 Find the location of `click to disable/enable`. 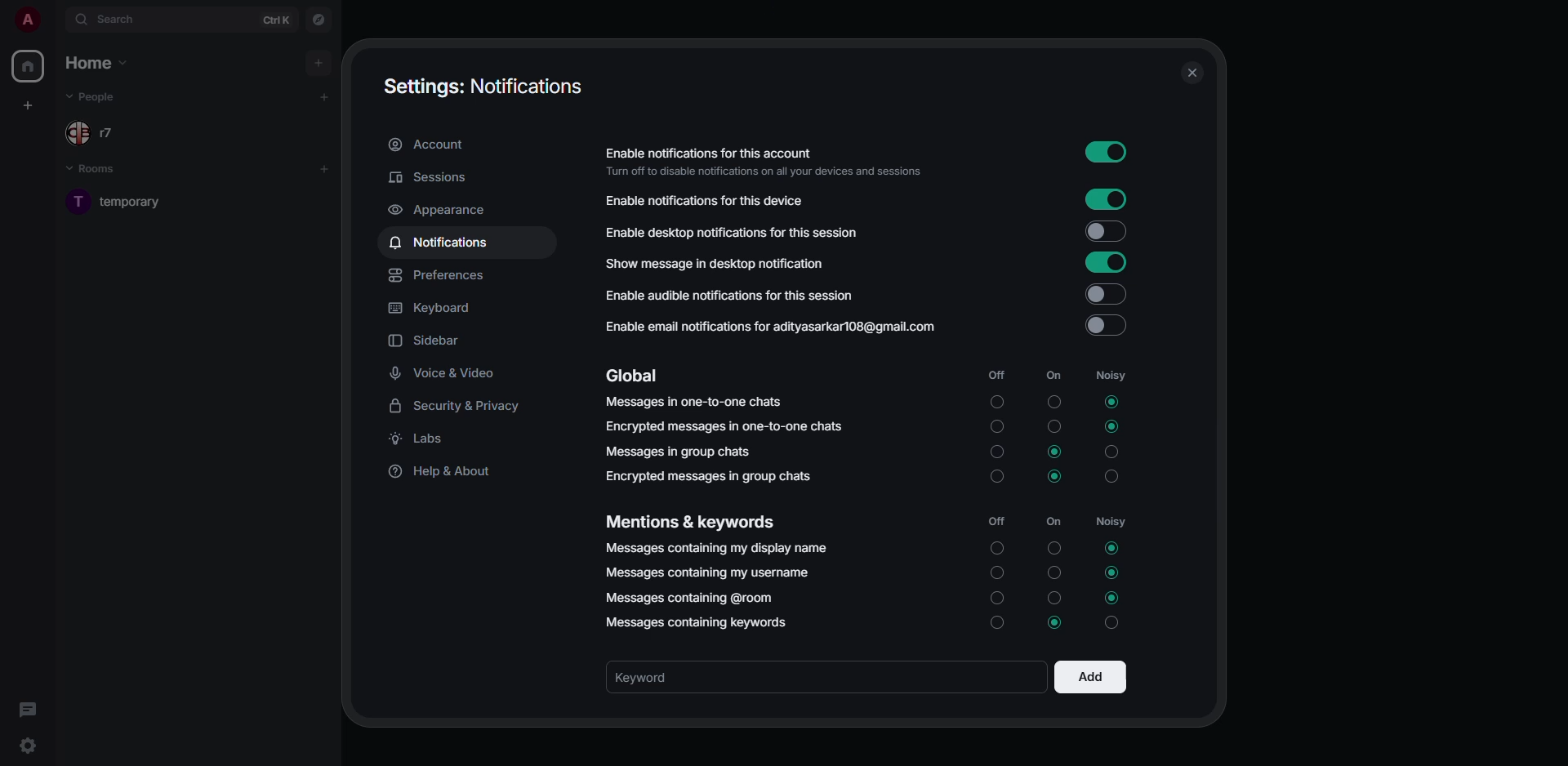

click to disable/enable is located at coordinates (1102, 292).